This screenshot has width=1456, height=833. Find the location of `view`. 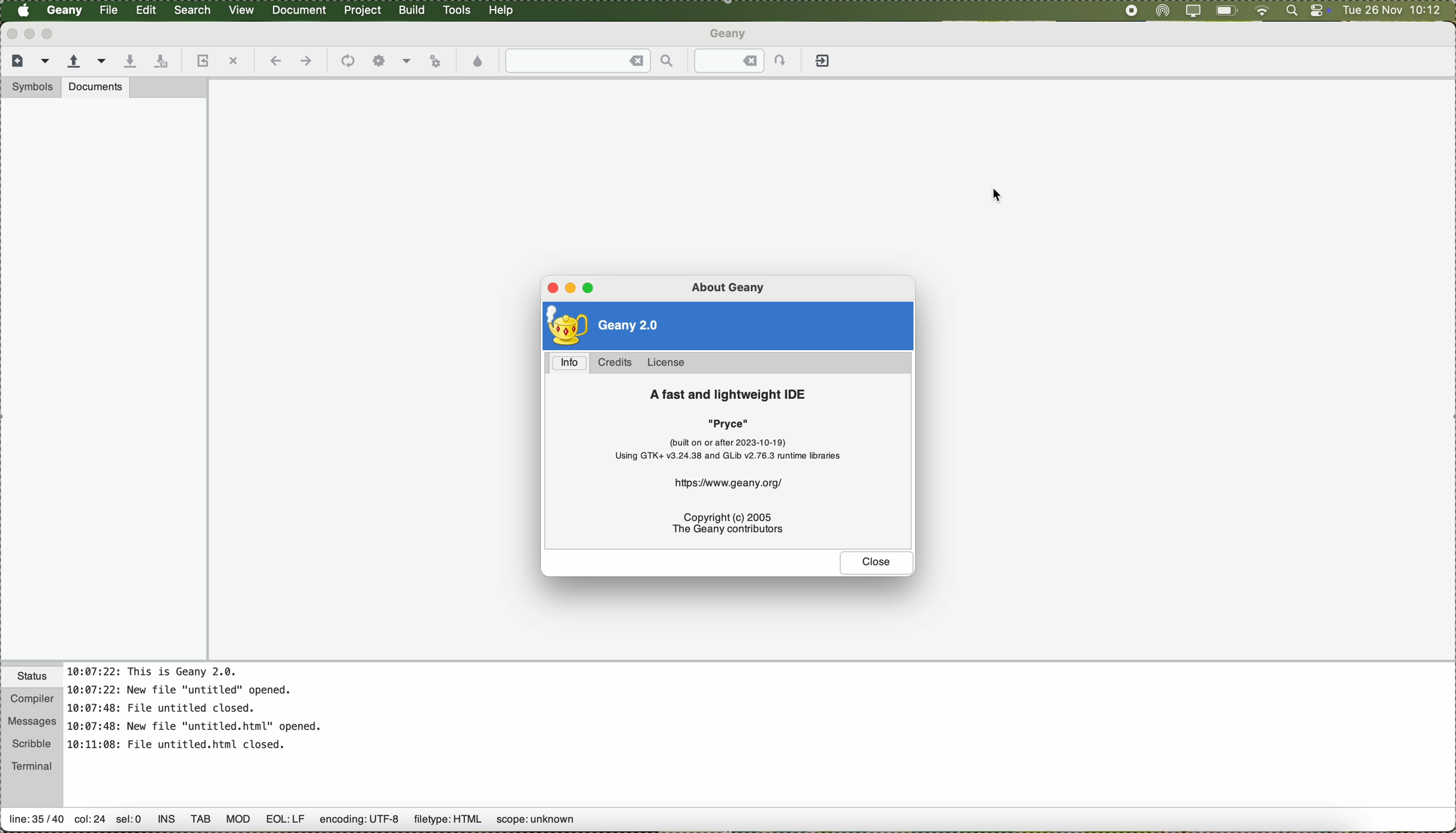

view is located at coordinates (244, 11).